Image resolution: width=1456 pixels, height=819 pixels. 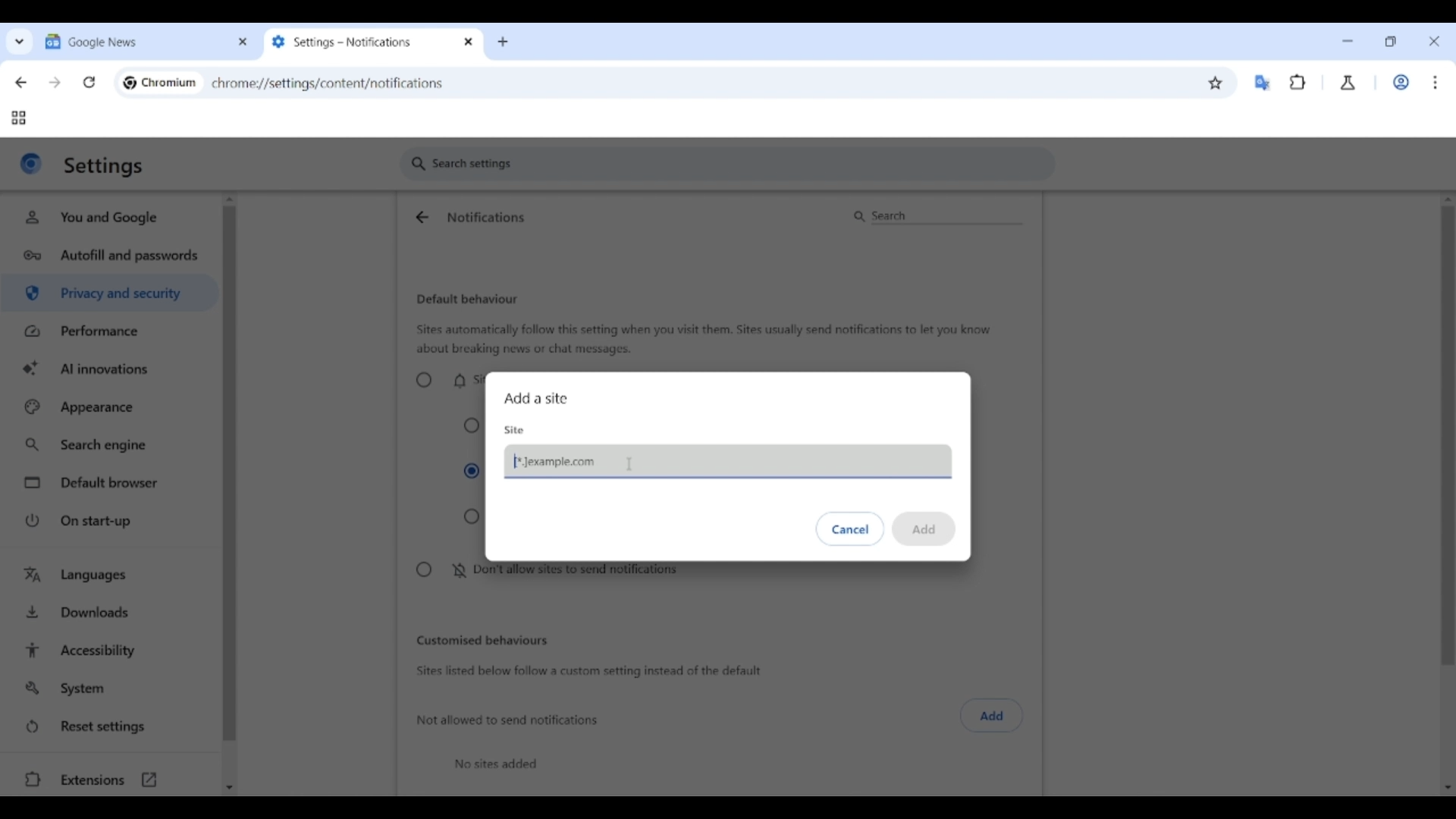 What do you see at coordinates (482, 640) in the screenshot?
I see `Customized behaviors` at bounding box center [482, 640].